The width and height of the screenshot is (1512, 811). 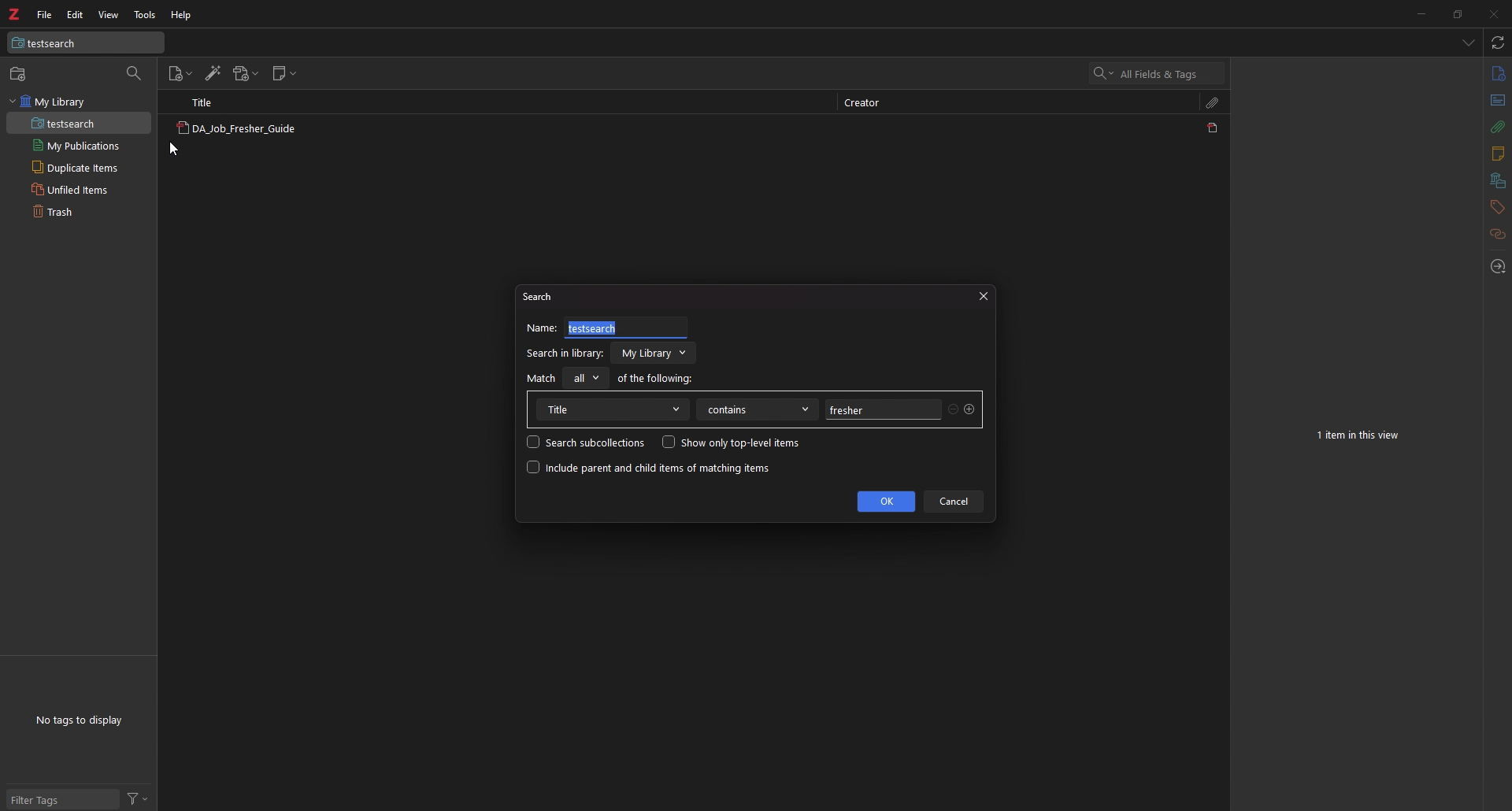 I want to click on related, so click(x=1499, y=235).